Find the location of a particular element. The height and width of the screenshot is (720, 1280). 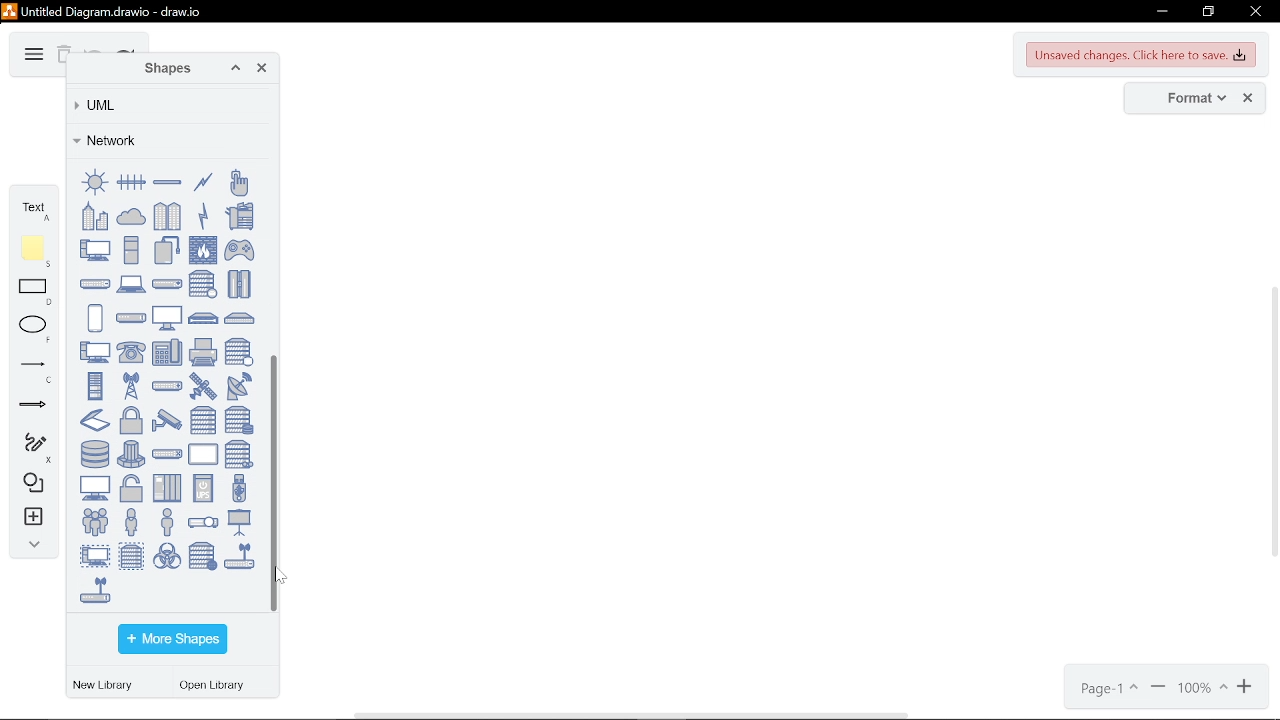

radio tower is located at coordinates (131, 385).